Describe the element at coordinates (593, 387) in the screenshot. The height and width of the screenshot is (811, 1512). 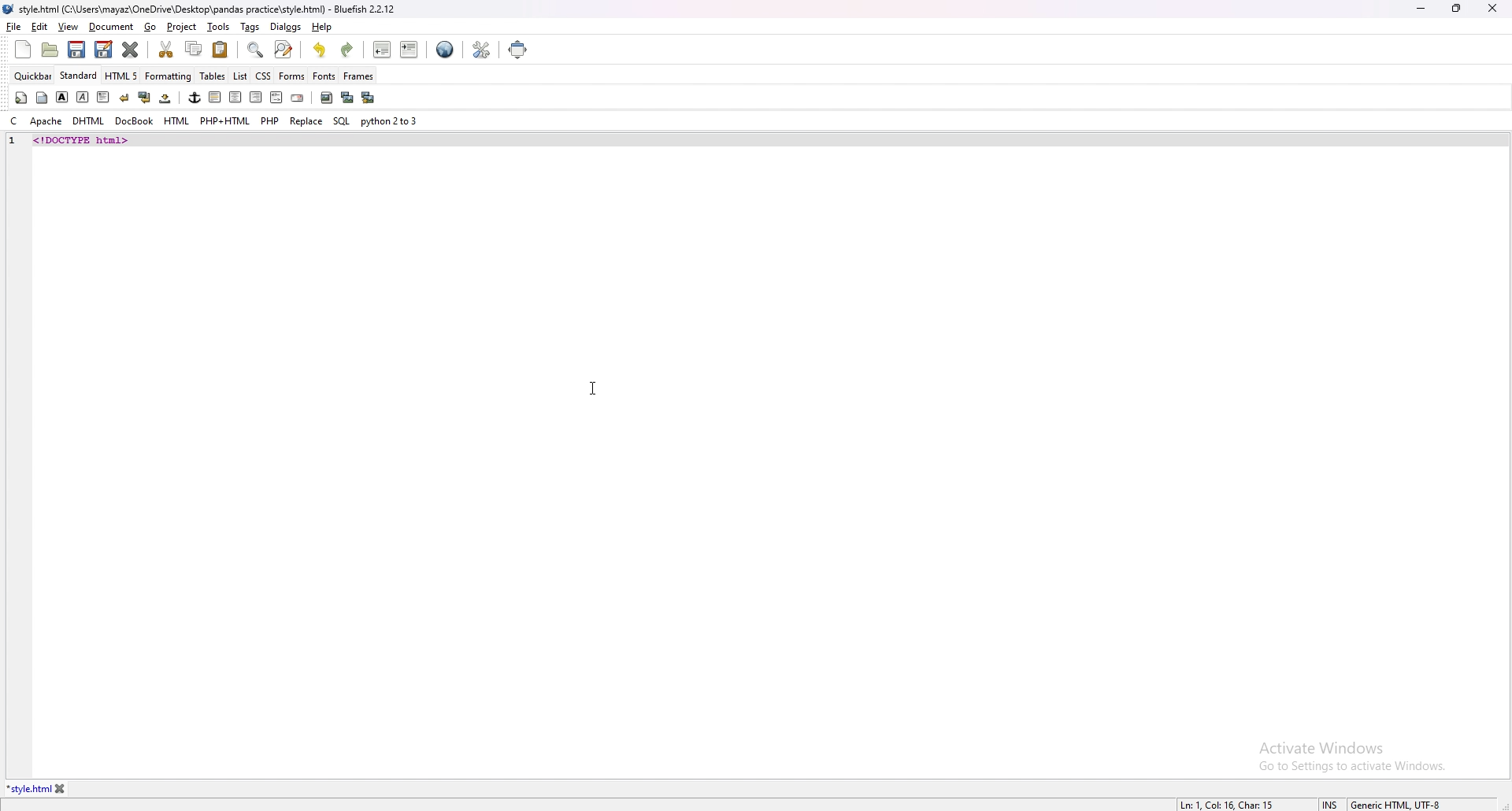
I see `cursor` at that location.